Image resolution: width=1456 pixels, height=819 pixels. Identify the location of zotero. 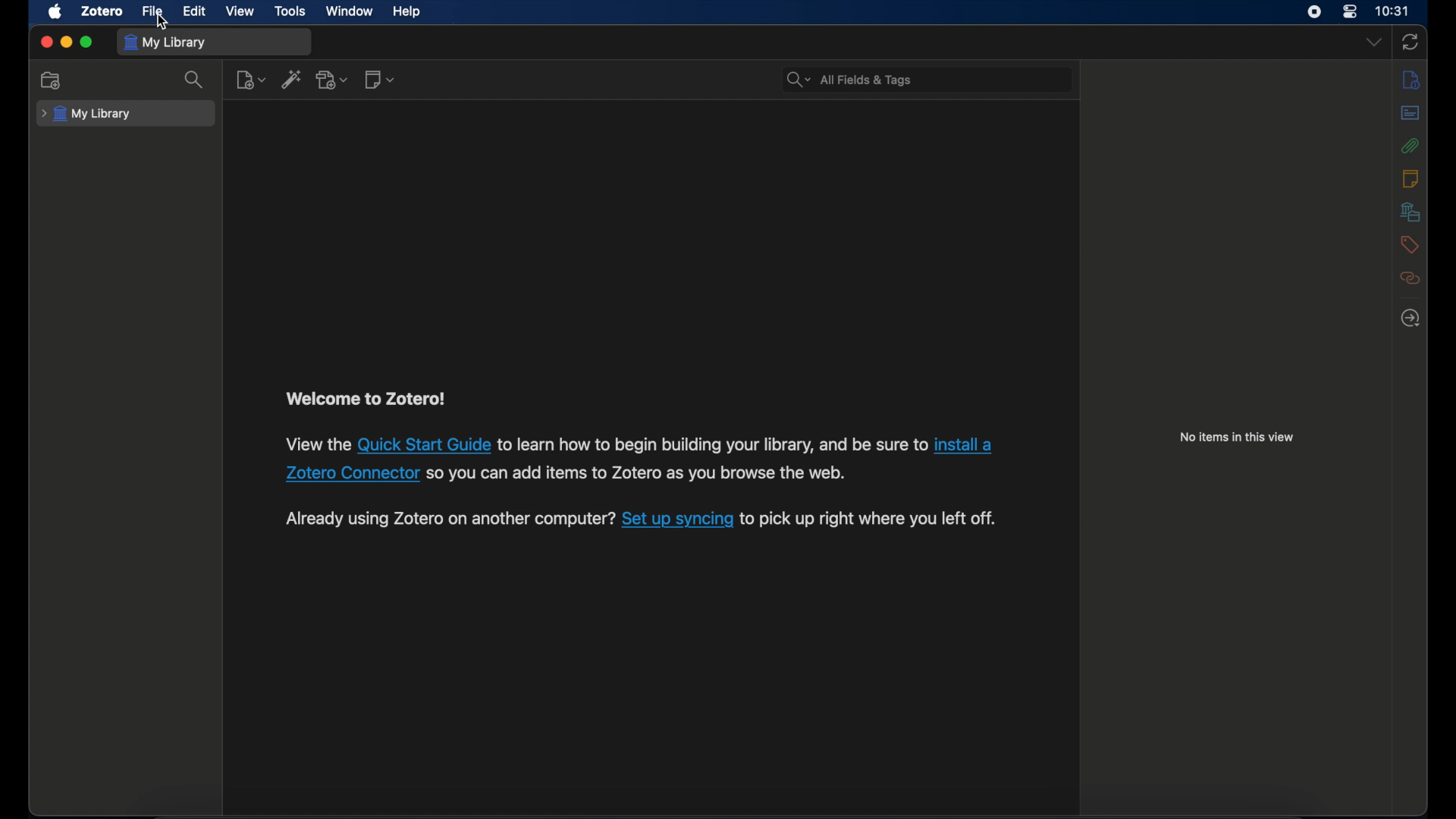
(102, 11).